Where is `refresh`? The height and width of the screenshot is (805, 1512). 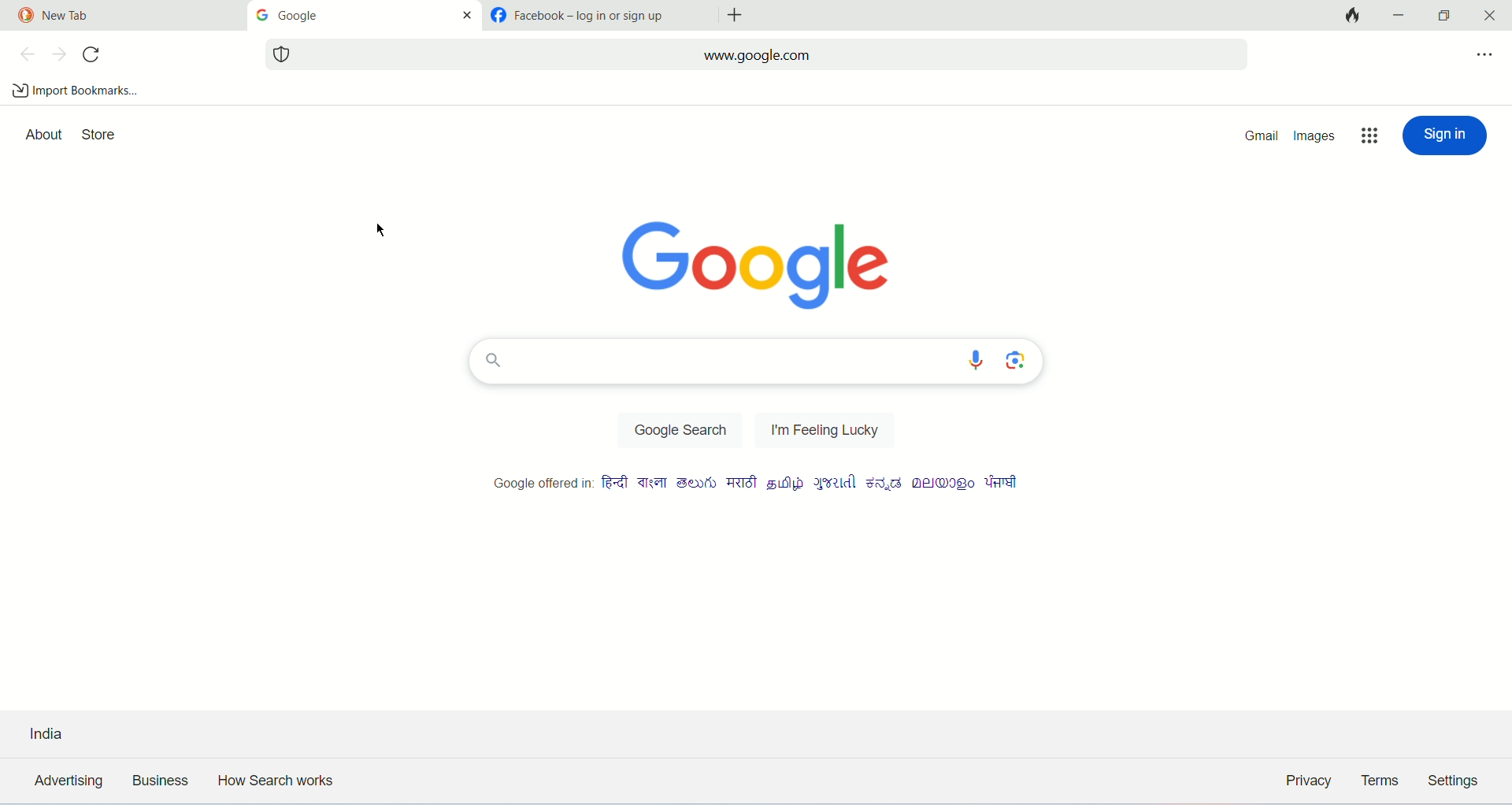 refresh is located at coordinates (92, 54).